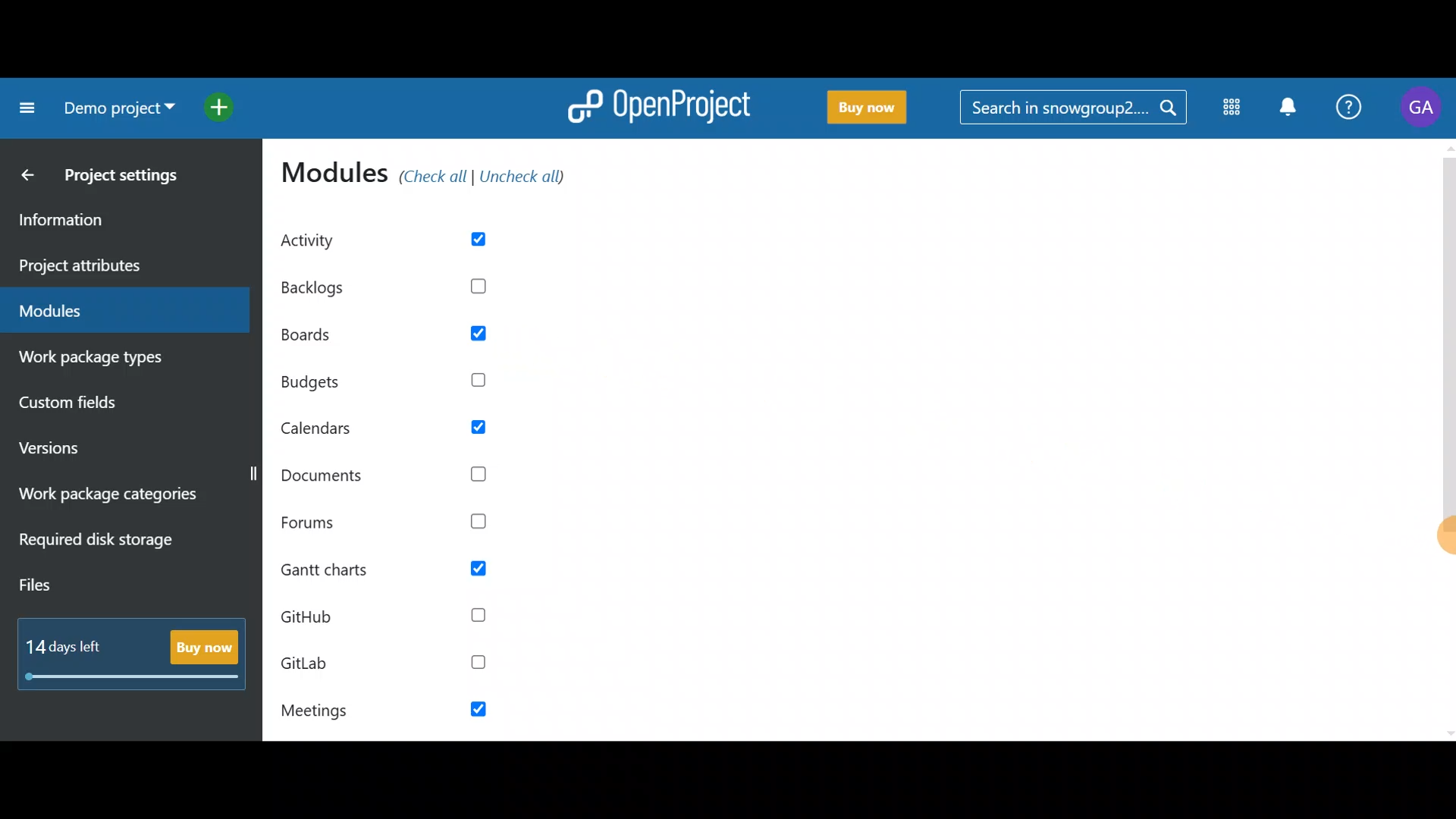  Describe the element at coordinates (112, 548) in the screenshot. I see `Required disk storage` at that location.